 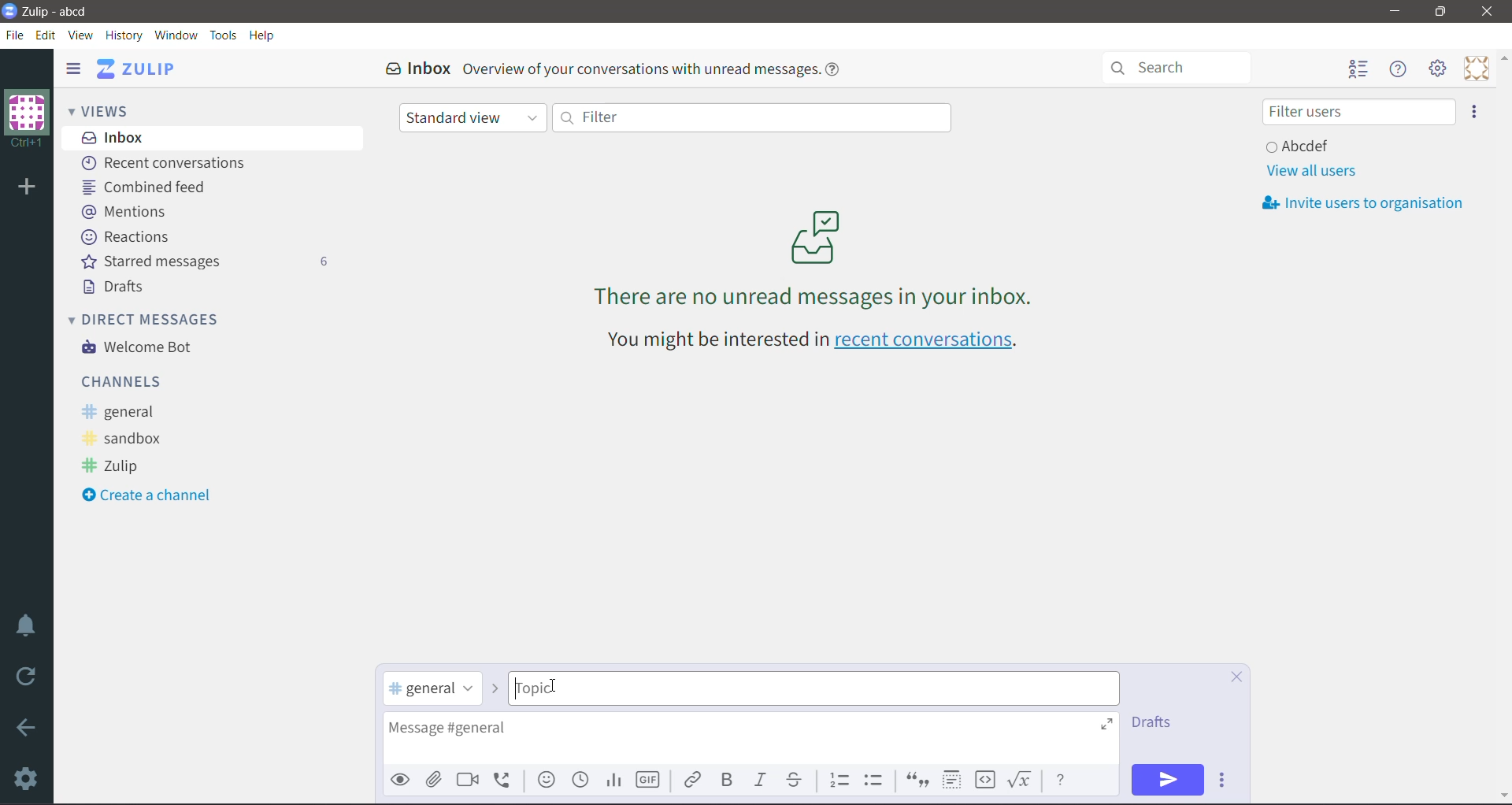 I want to click on Link, so click(x=692, y=778).